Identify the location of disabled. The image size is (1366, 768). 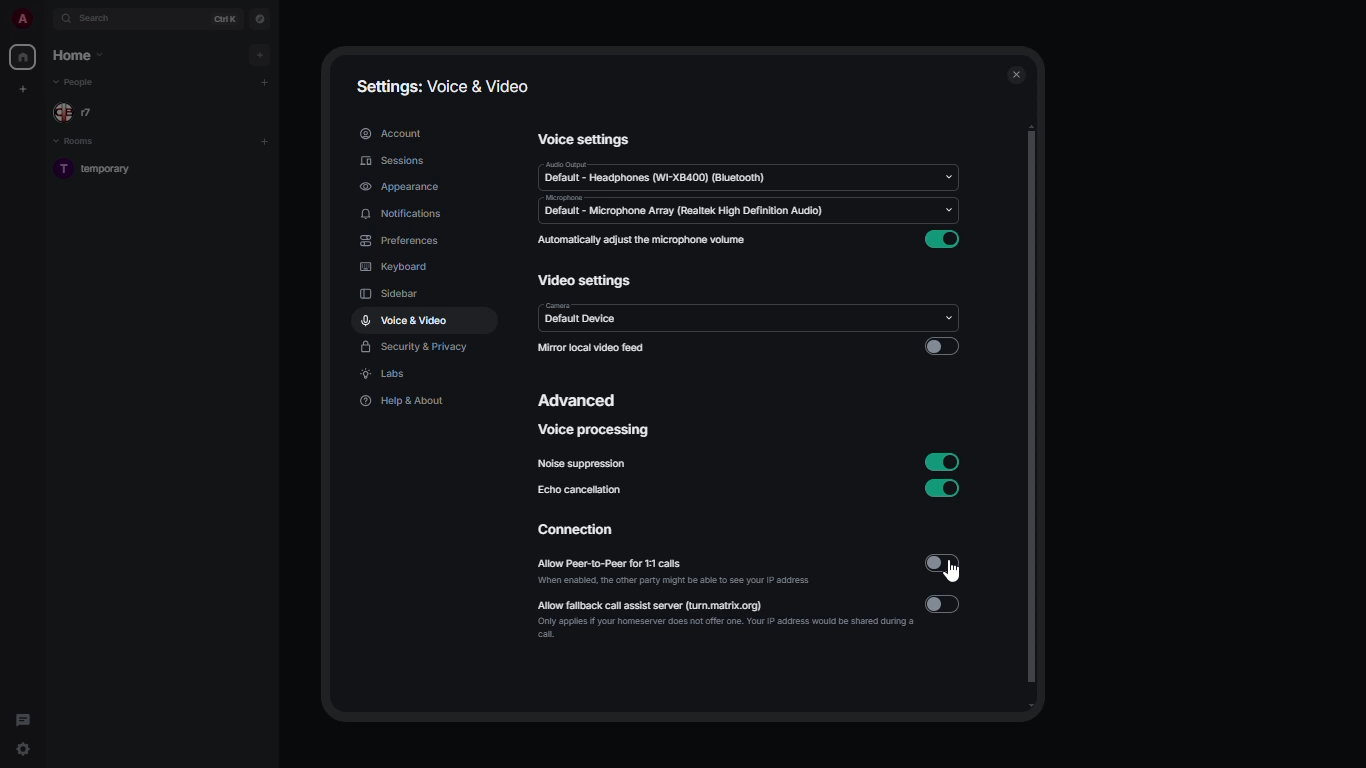
(941, 346).